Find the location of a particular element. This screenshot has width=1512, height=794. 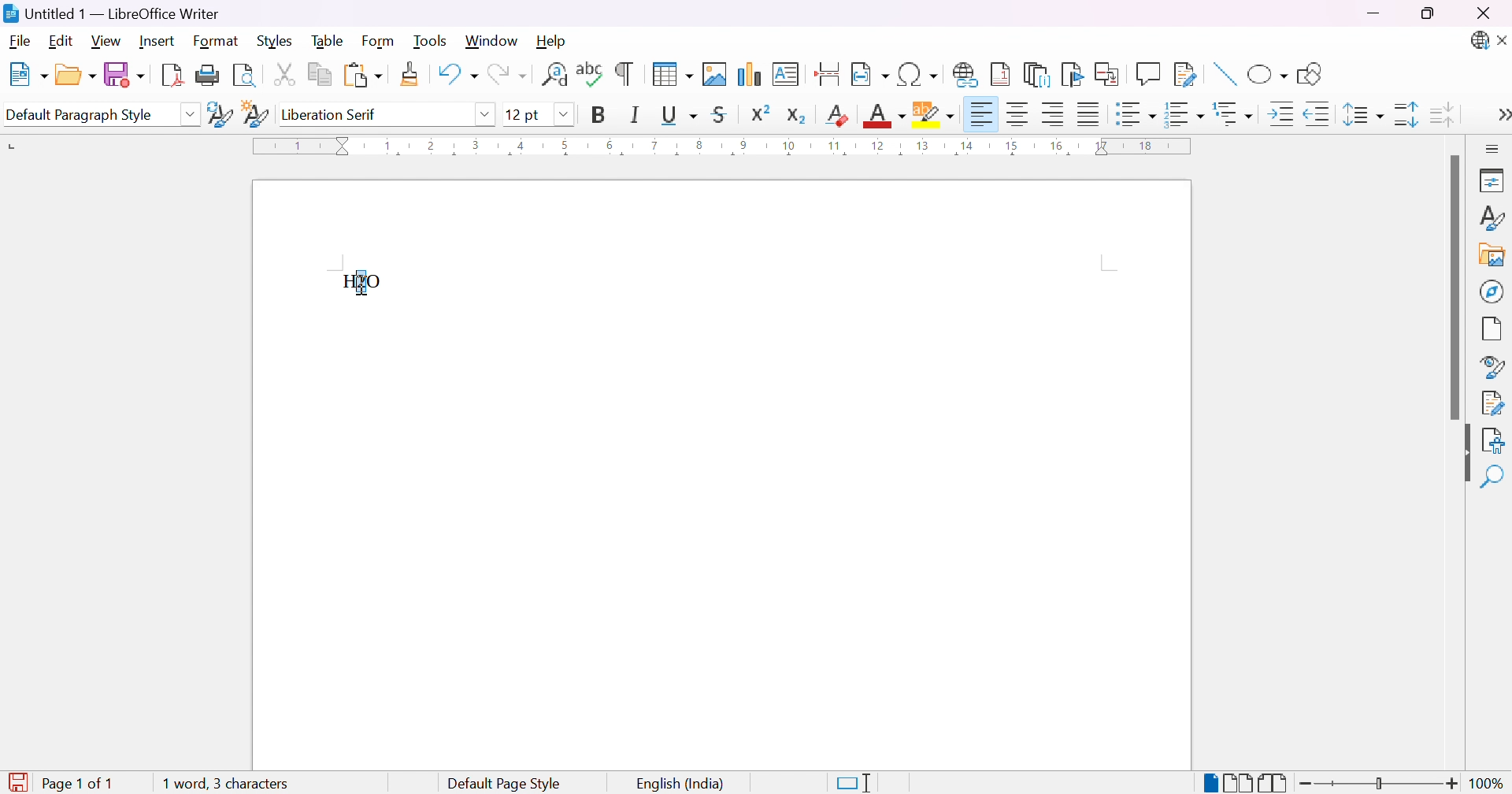

Drop down is located at coordinates (565, 115).